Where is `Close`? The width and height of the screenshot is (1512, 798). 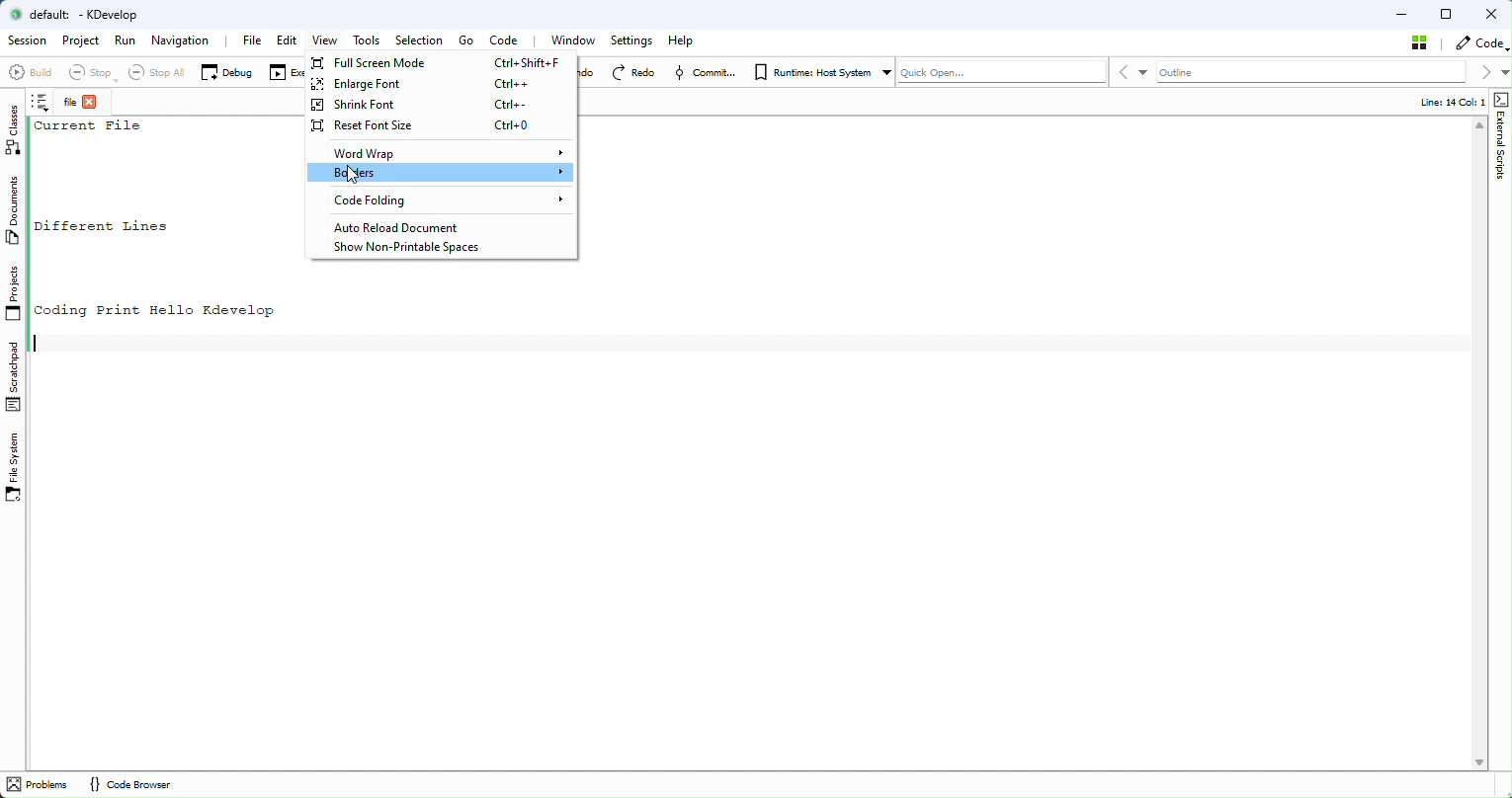 Close is located at coordinates (1492, 14).